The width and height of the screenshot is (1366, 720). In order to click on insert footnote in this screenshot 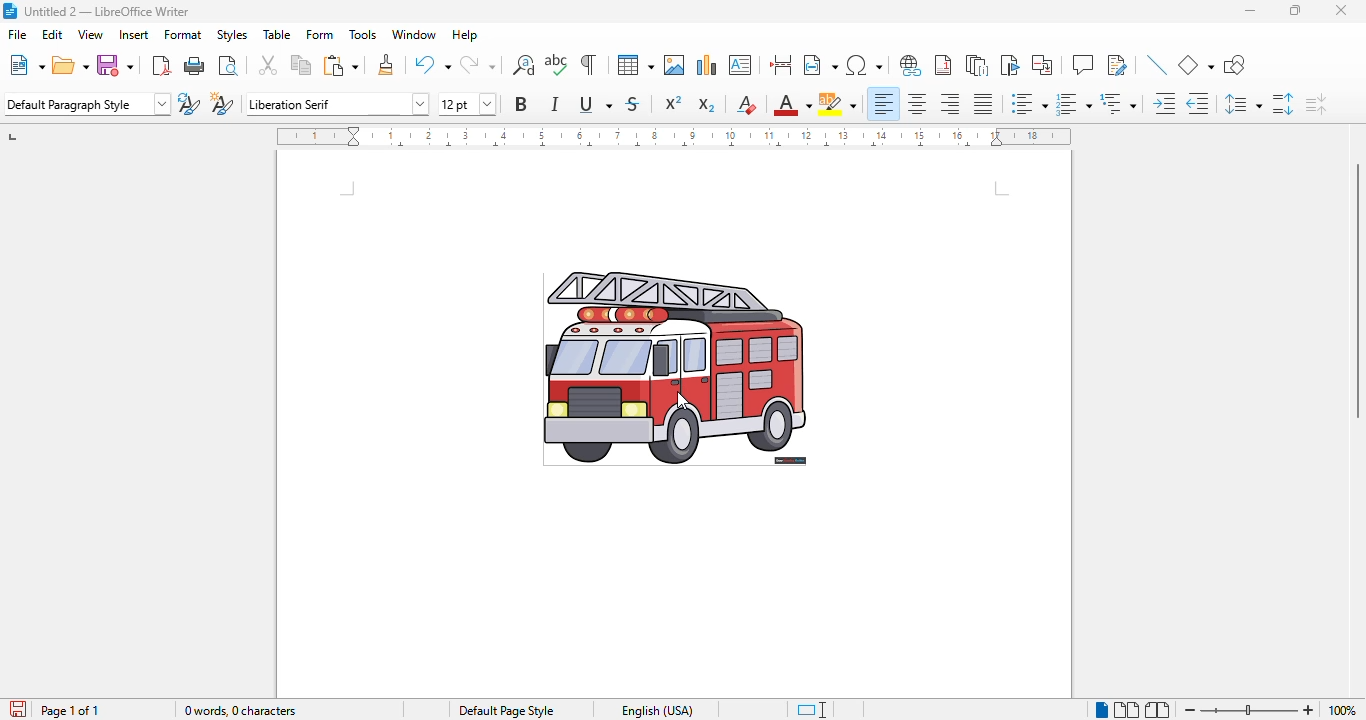, I will do `click(943, 65)`.